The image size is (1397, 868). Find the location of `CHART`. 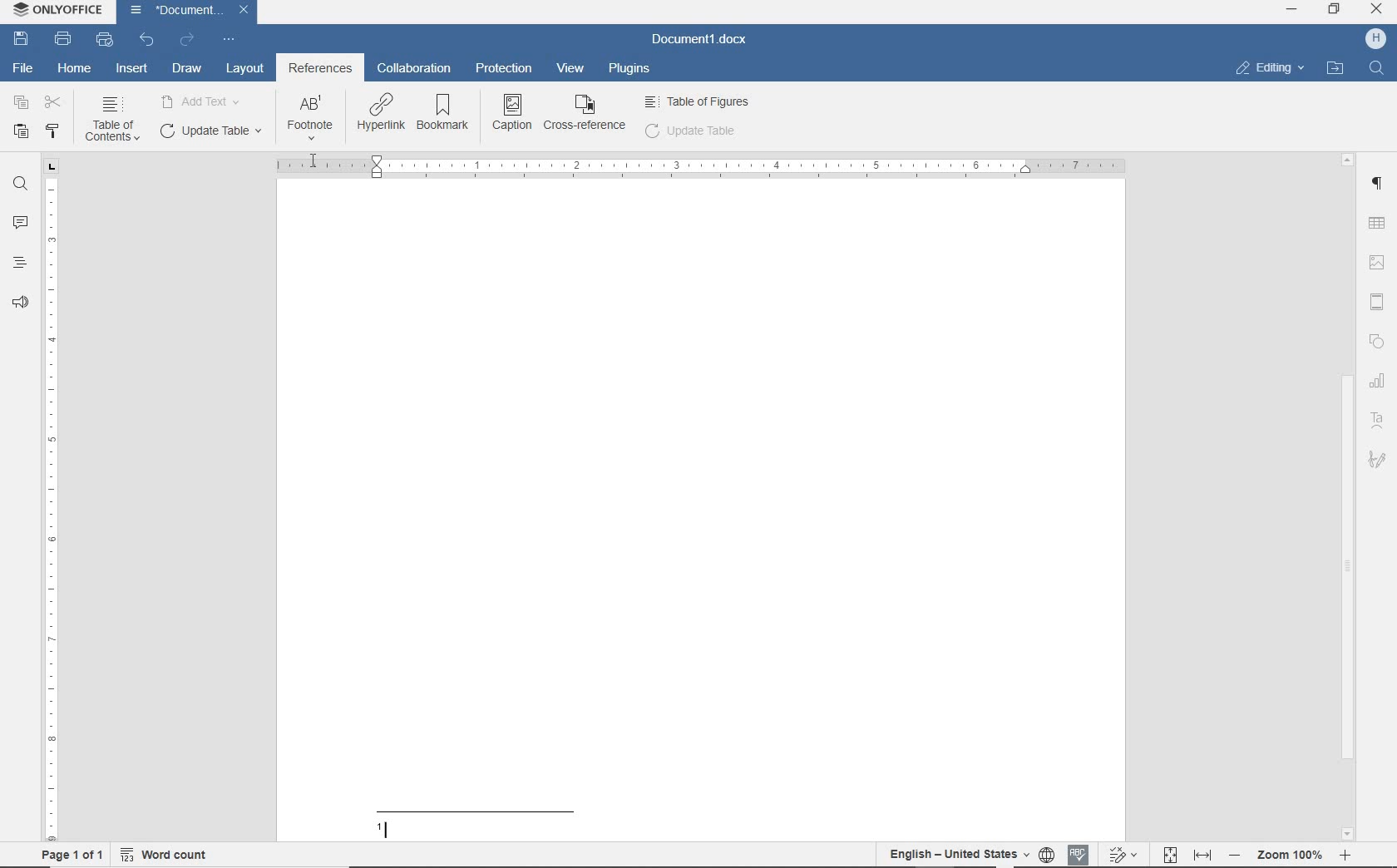

CHART is located at coordinates (1380, 380).